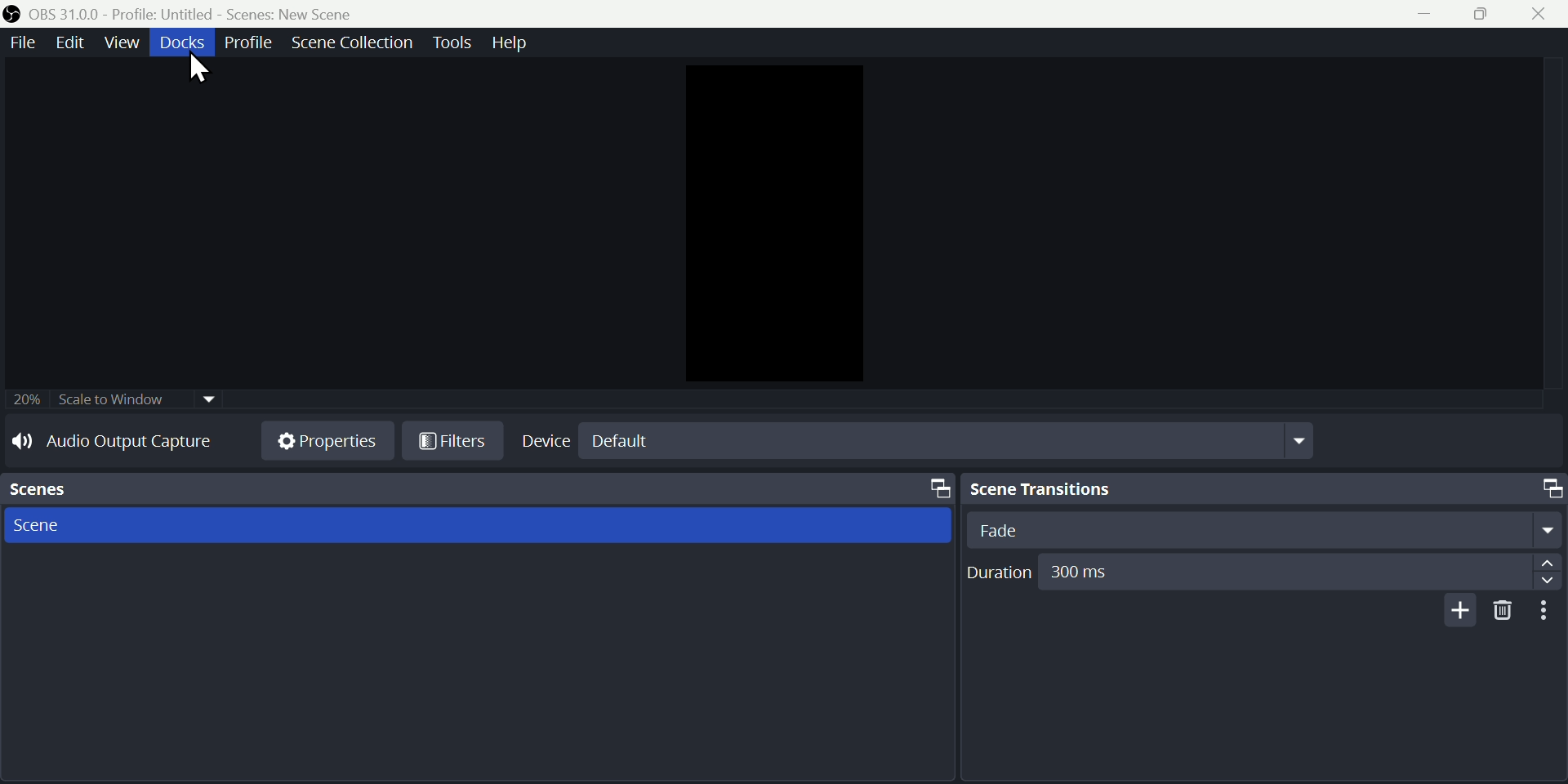 This screenshot has width=1568, height=784. What do you see at coordinates (1456, 611) in the screenshot?
I see `add` at bounding box center [1456, 611].